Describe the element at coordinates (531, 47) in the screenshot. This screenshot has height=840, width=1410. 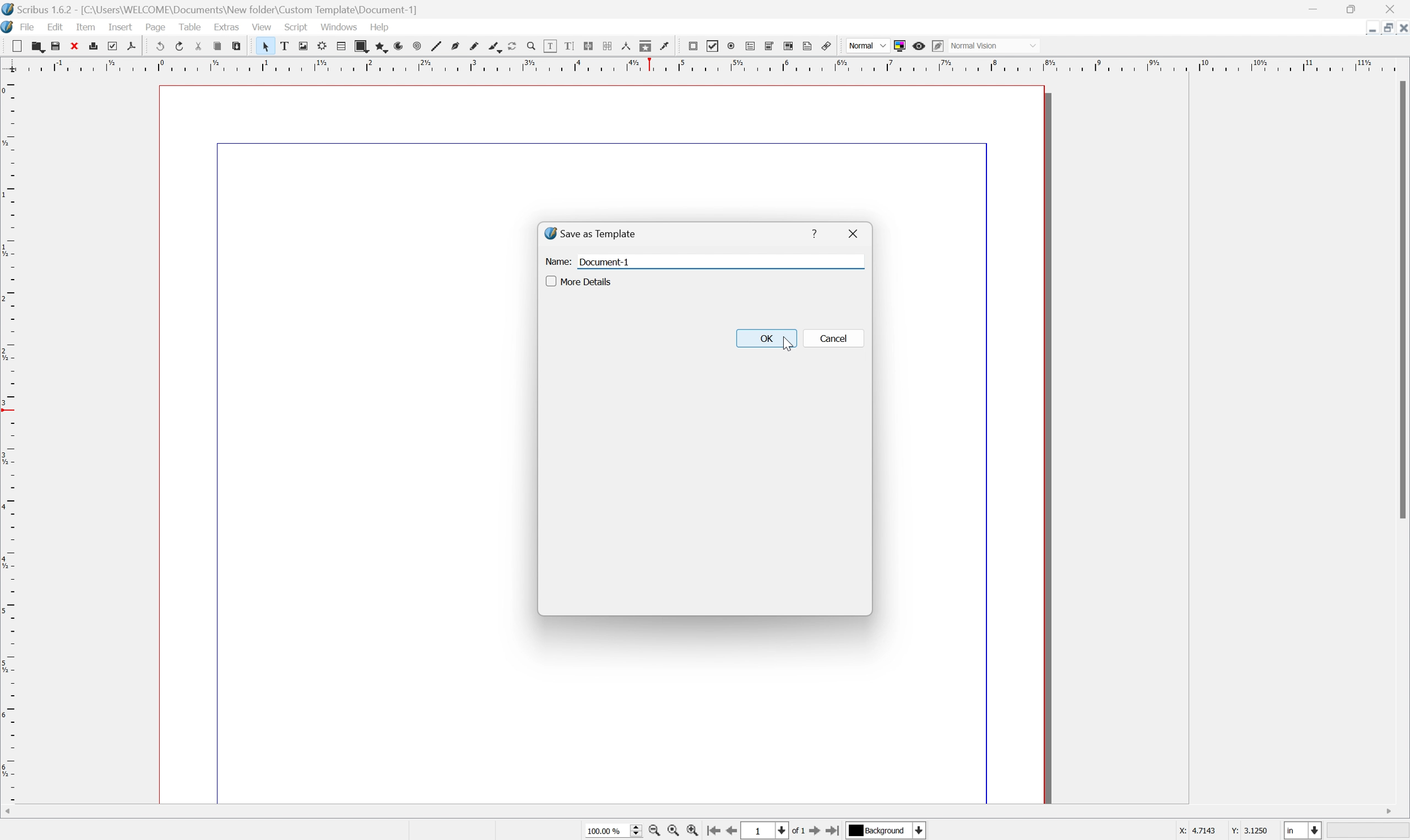
I see `Zoom in or zoom out` at that location.